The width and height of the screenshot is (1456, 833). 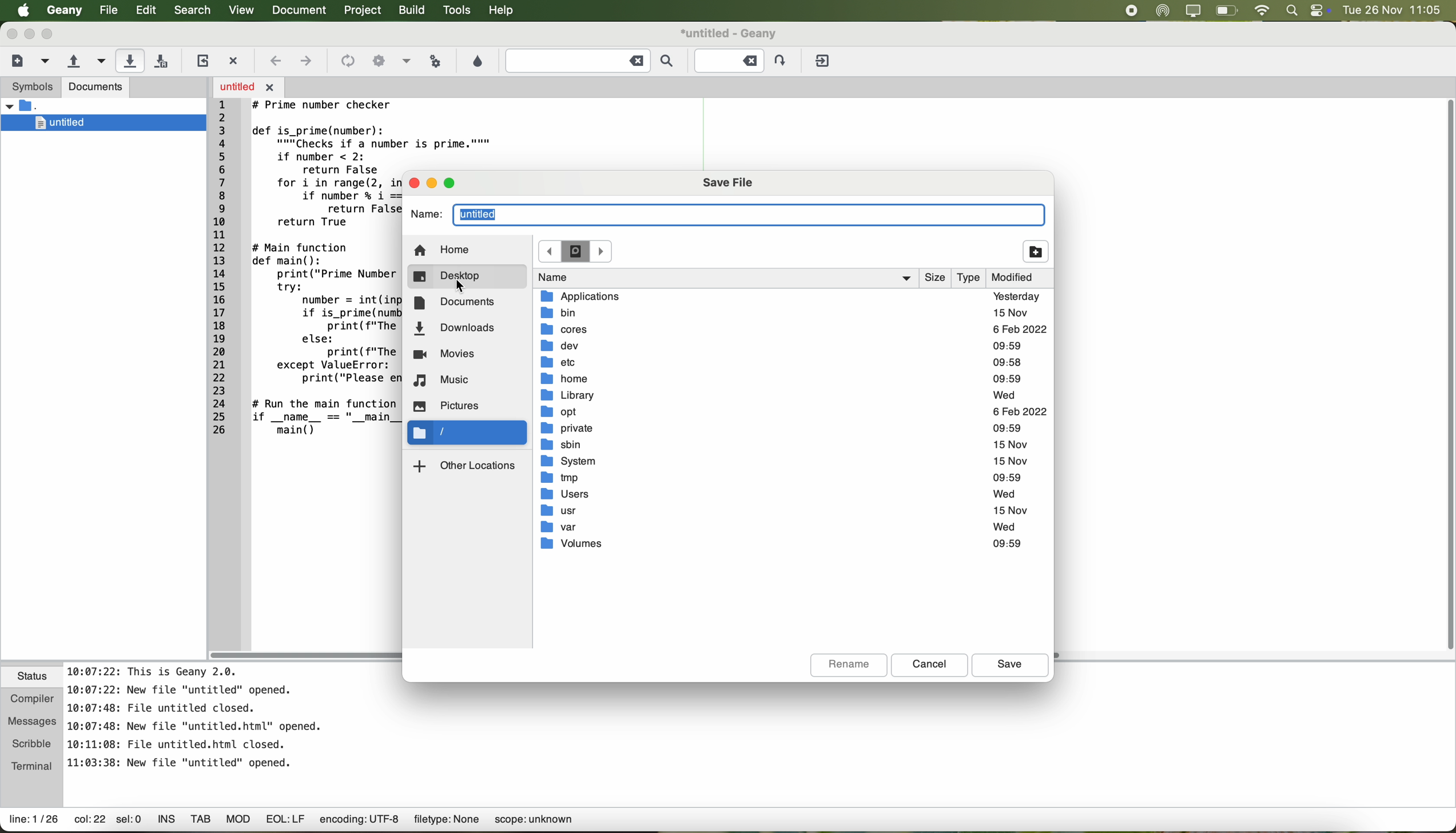 I want to click on cores, so click(x=792, y=330).